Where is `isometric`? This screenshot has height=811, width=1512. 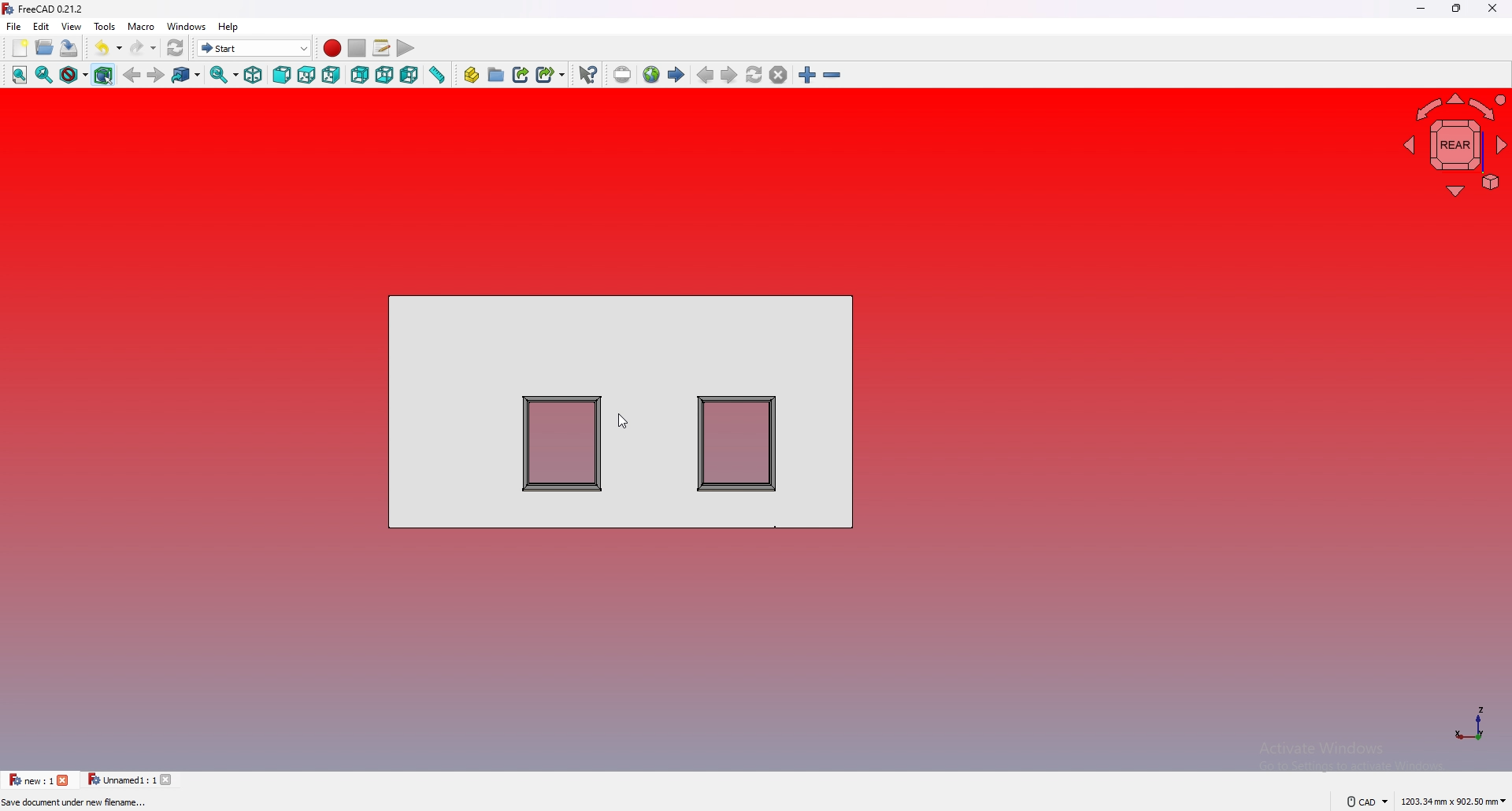
isometric is located at coordinates (254, 76).